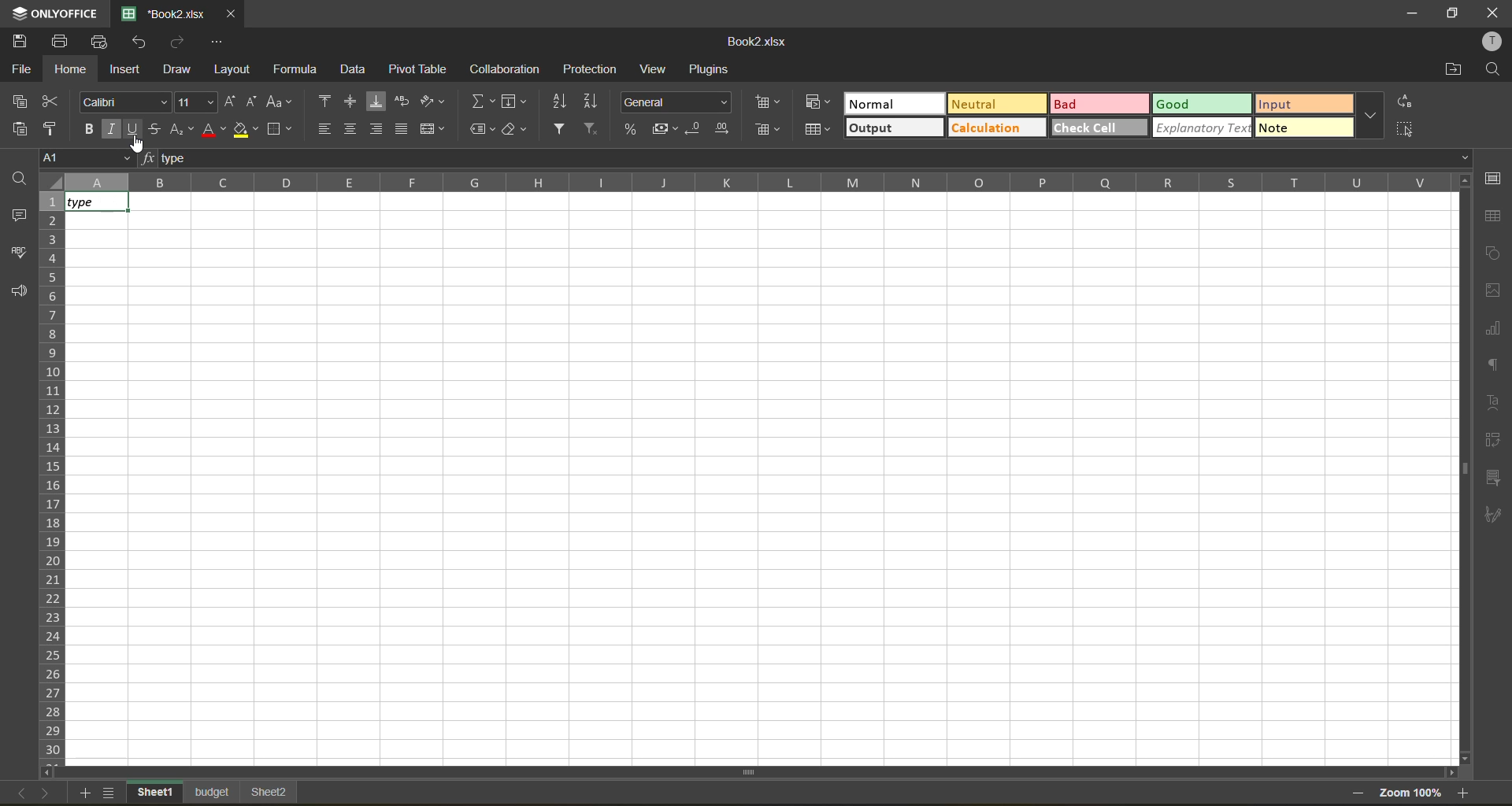  Describe the element at coordinates (559, 102) in the screenshot. I see `sort ascending` at that location.